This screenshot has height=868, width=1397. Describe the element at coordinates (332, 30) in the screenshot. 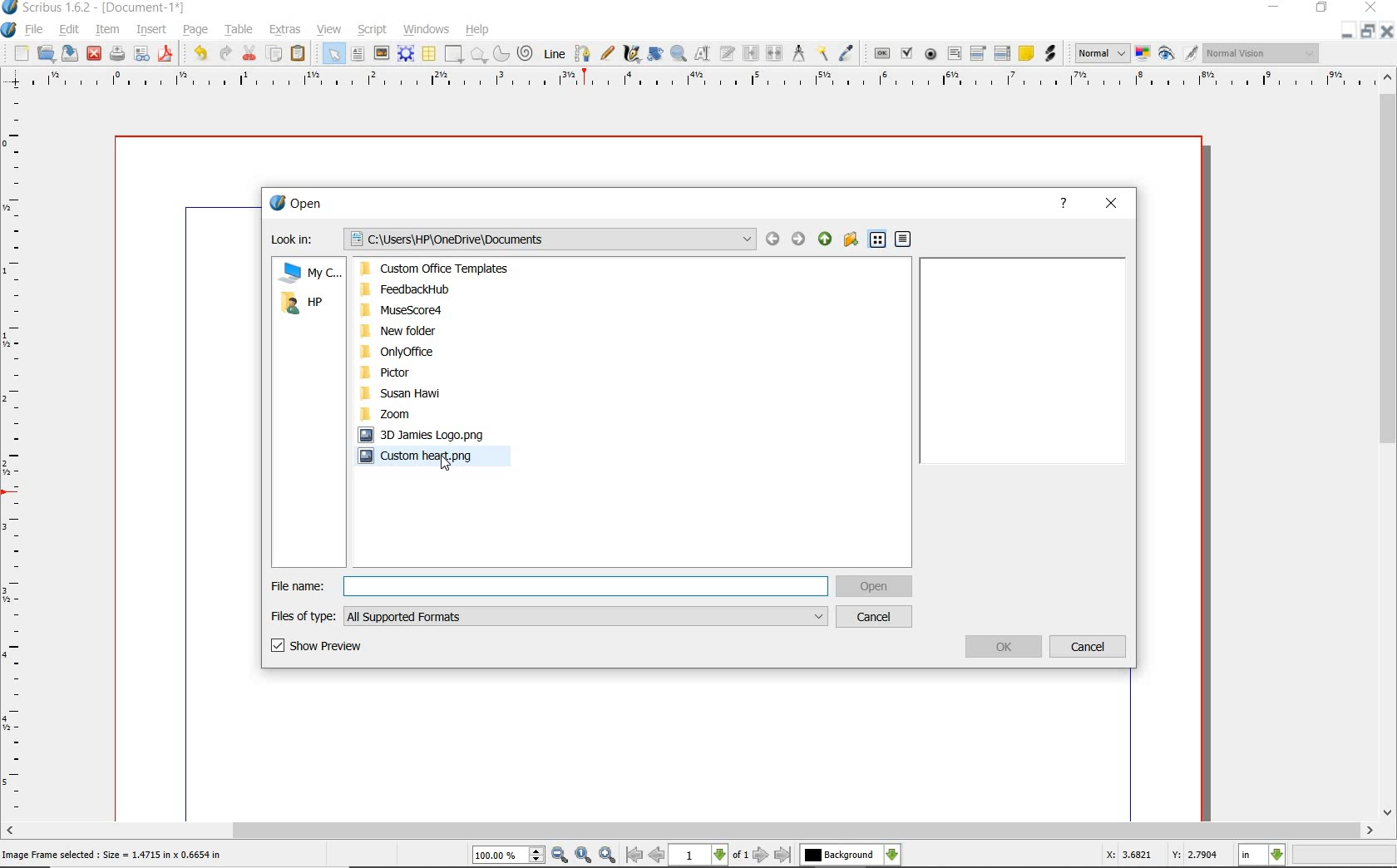

I see `view ` at that location.